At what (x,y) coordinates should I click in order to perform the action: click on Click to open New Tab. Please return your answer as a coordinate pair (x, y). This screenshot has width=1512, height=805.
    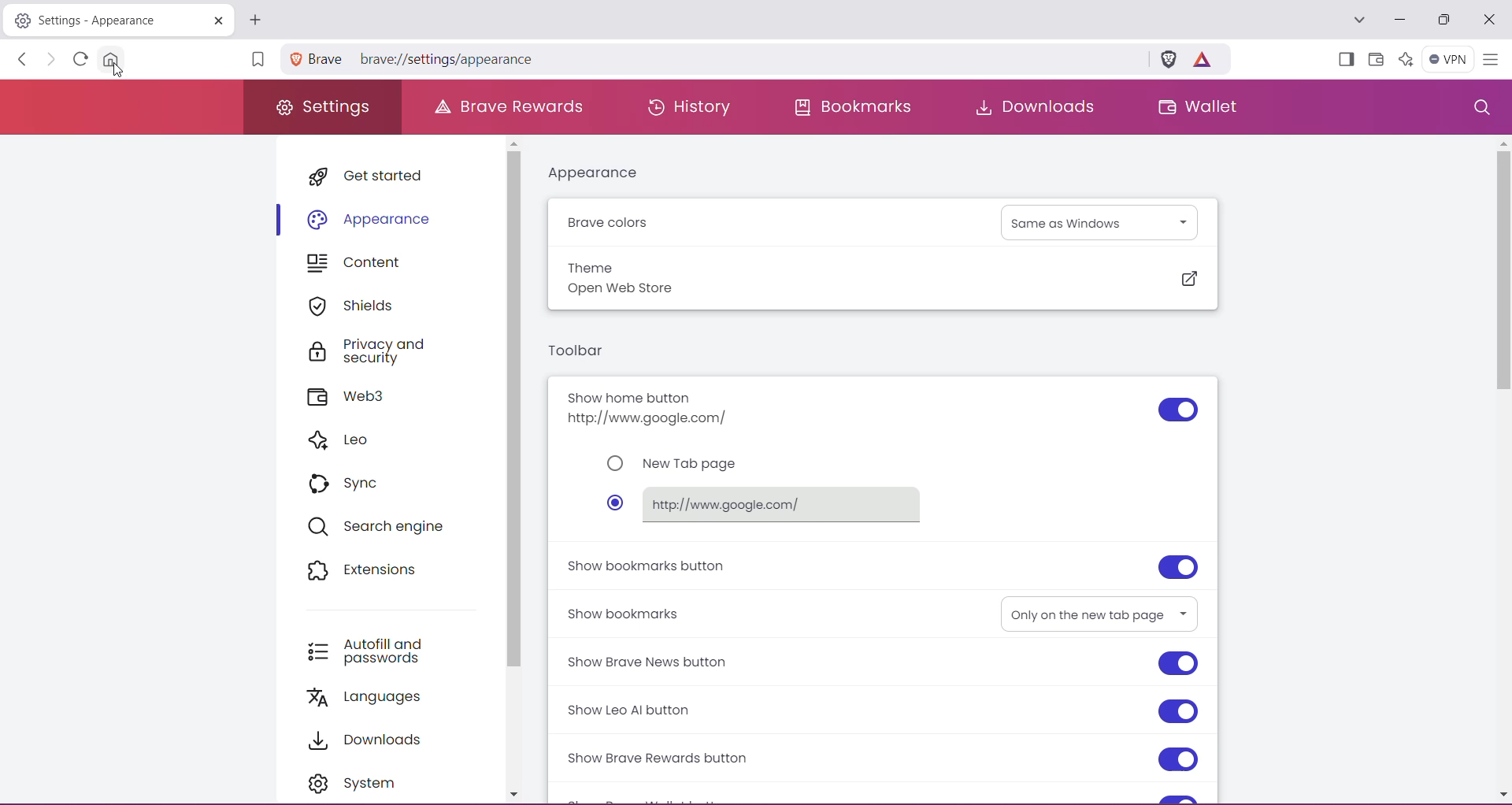
    Looking at the image, I should click on (255, 20).